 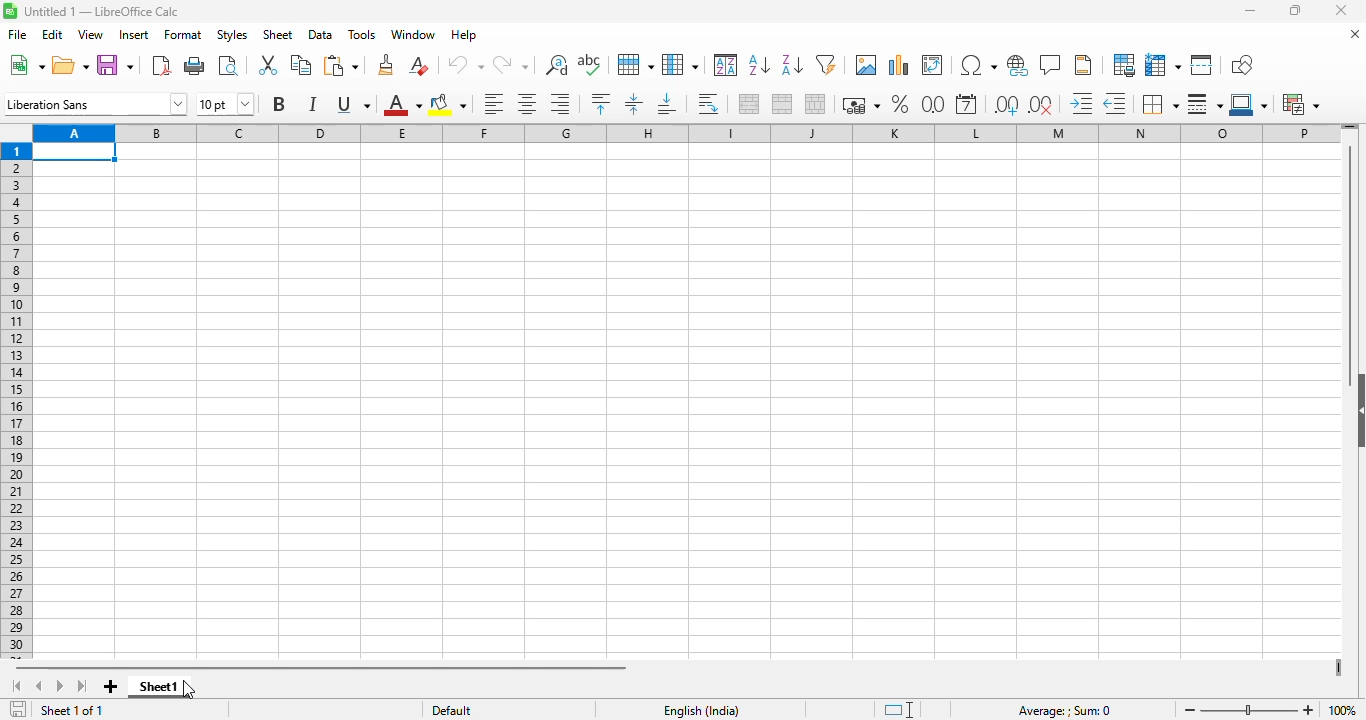 I want to click on new, so click(x=26, y=65).